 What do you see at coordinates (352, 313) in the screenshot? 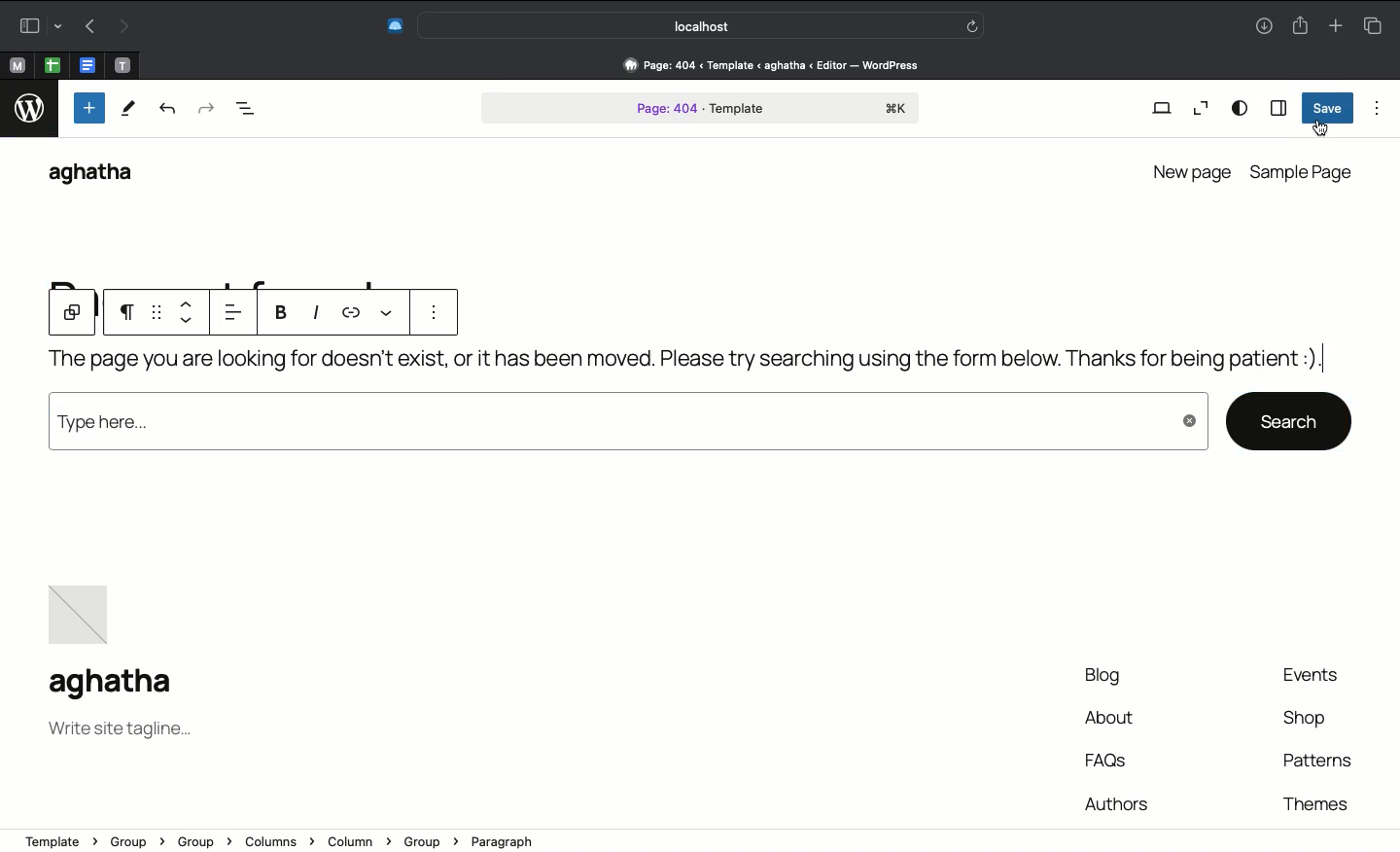
I see `link` at bounding box center [352, 313].